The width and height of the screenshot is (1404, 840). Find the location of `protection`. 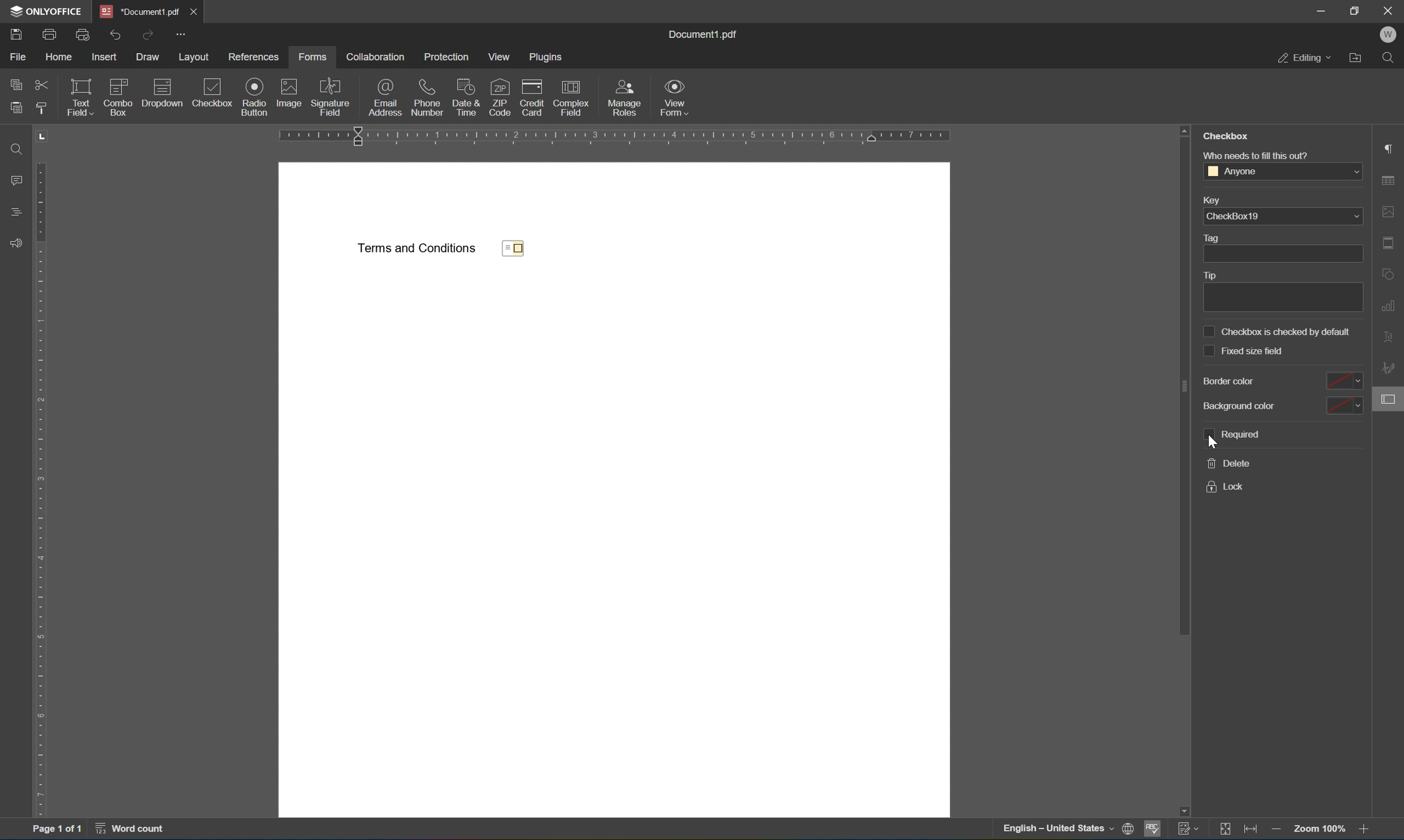

protection is located at coordinates (445, 57).